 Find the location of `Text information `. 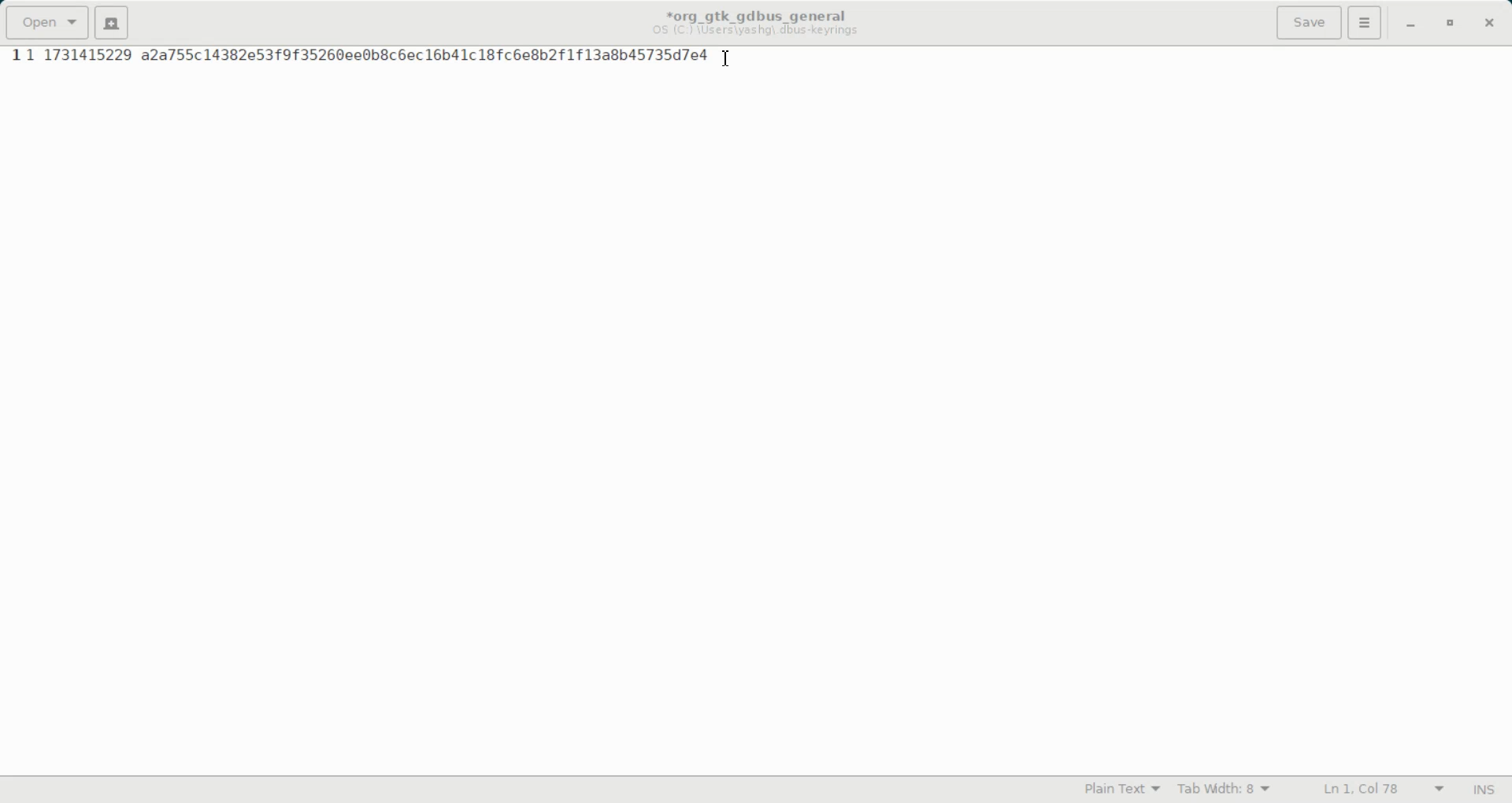

Text information  is located at coordinates (755, 22).